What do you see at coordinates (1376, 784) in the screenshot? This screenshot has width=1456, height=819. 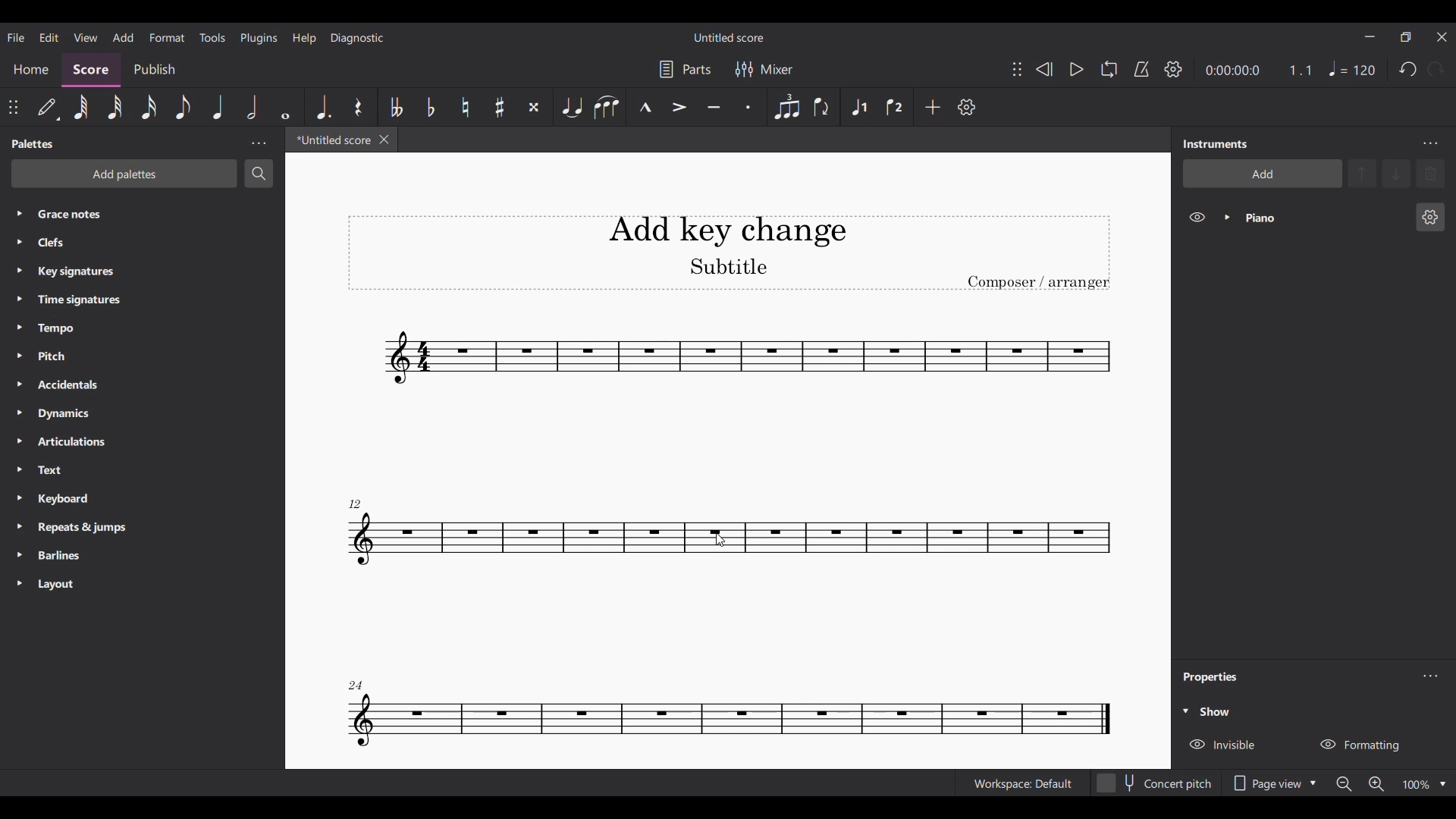 I see `Zoom in` at bounding box center [1376, 784].